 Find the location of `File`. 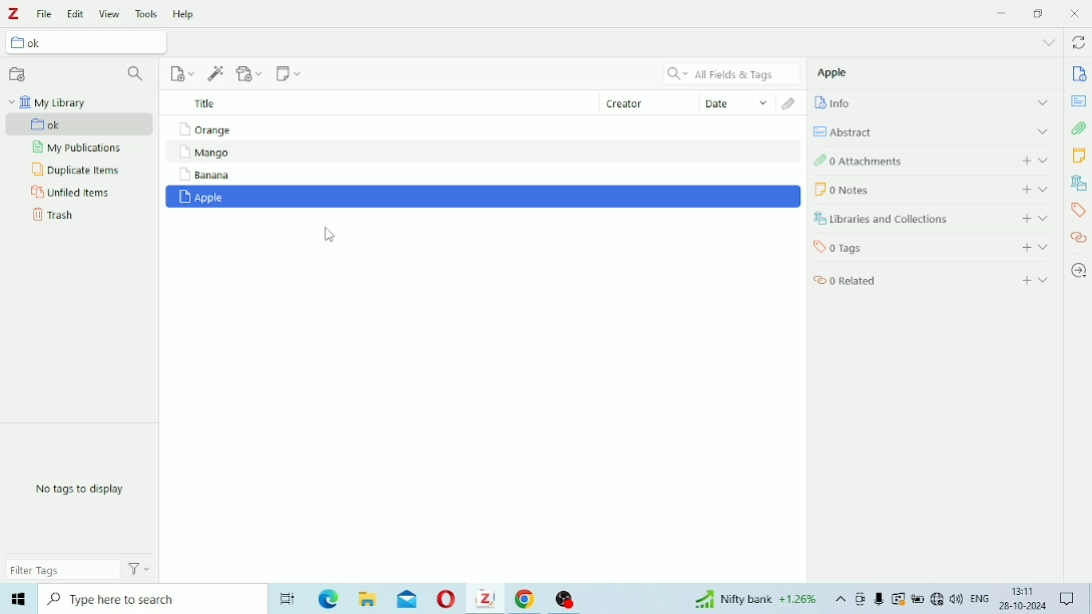

File is located at coordinates (47, 13).